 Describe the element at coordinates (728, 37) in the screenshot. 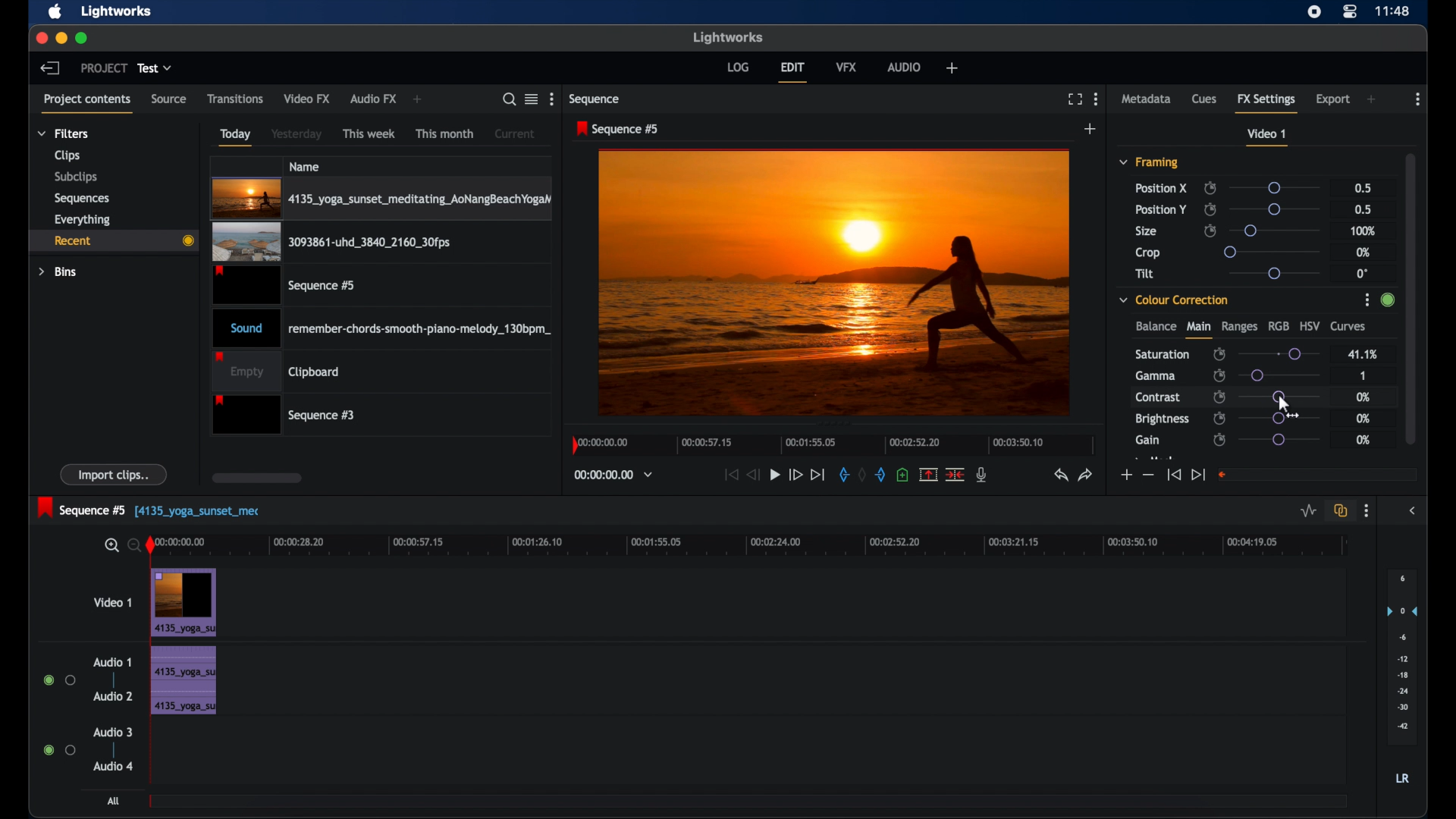

I see `lightworks` at that location.